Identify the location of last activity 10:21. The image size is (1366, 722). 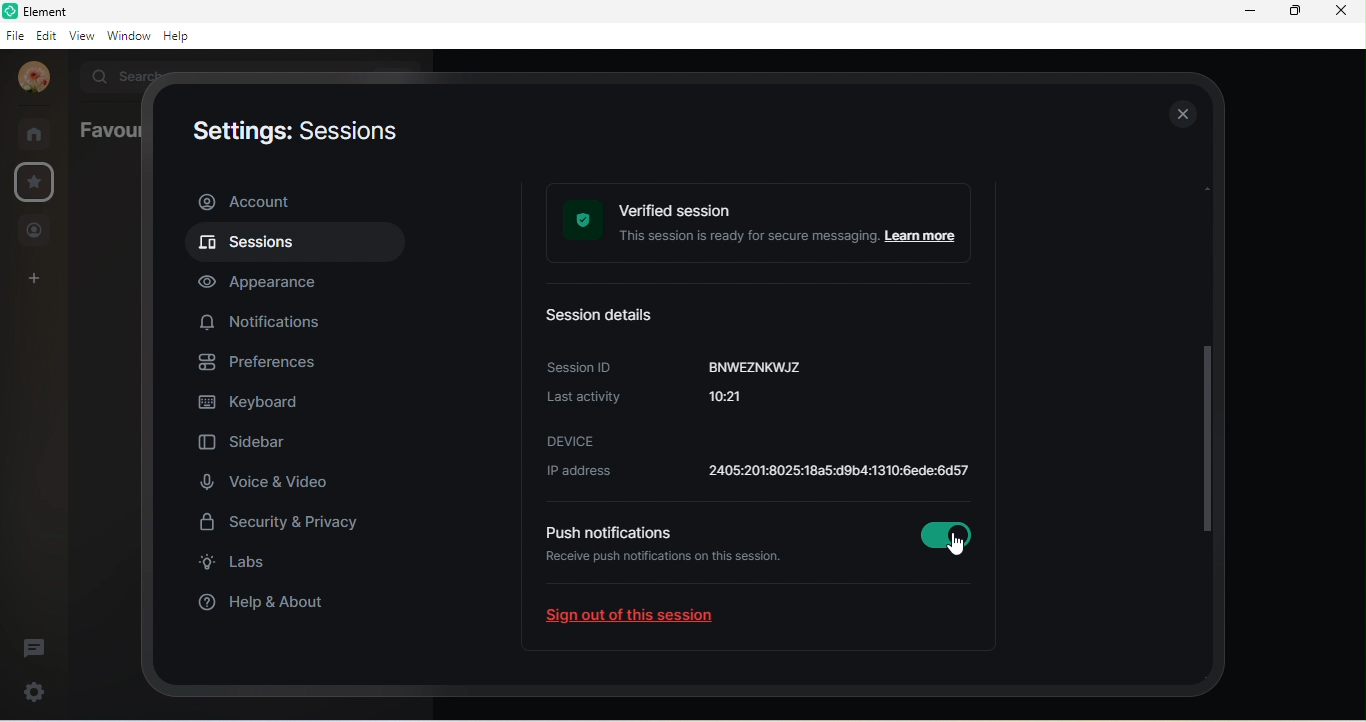
(666, 403).